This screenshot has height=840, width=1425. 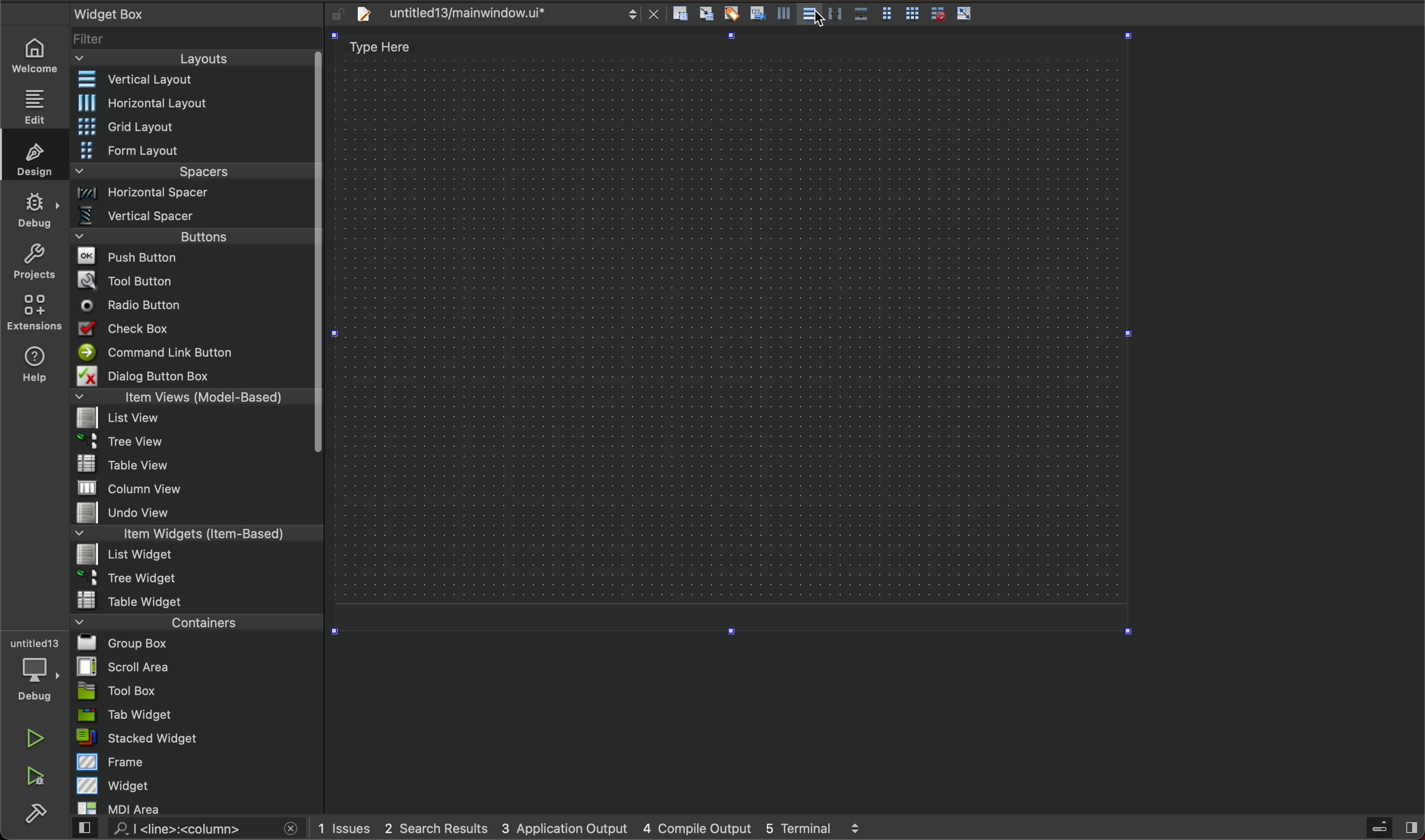 I want to click on build, so click(x=40, y=811).